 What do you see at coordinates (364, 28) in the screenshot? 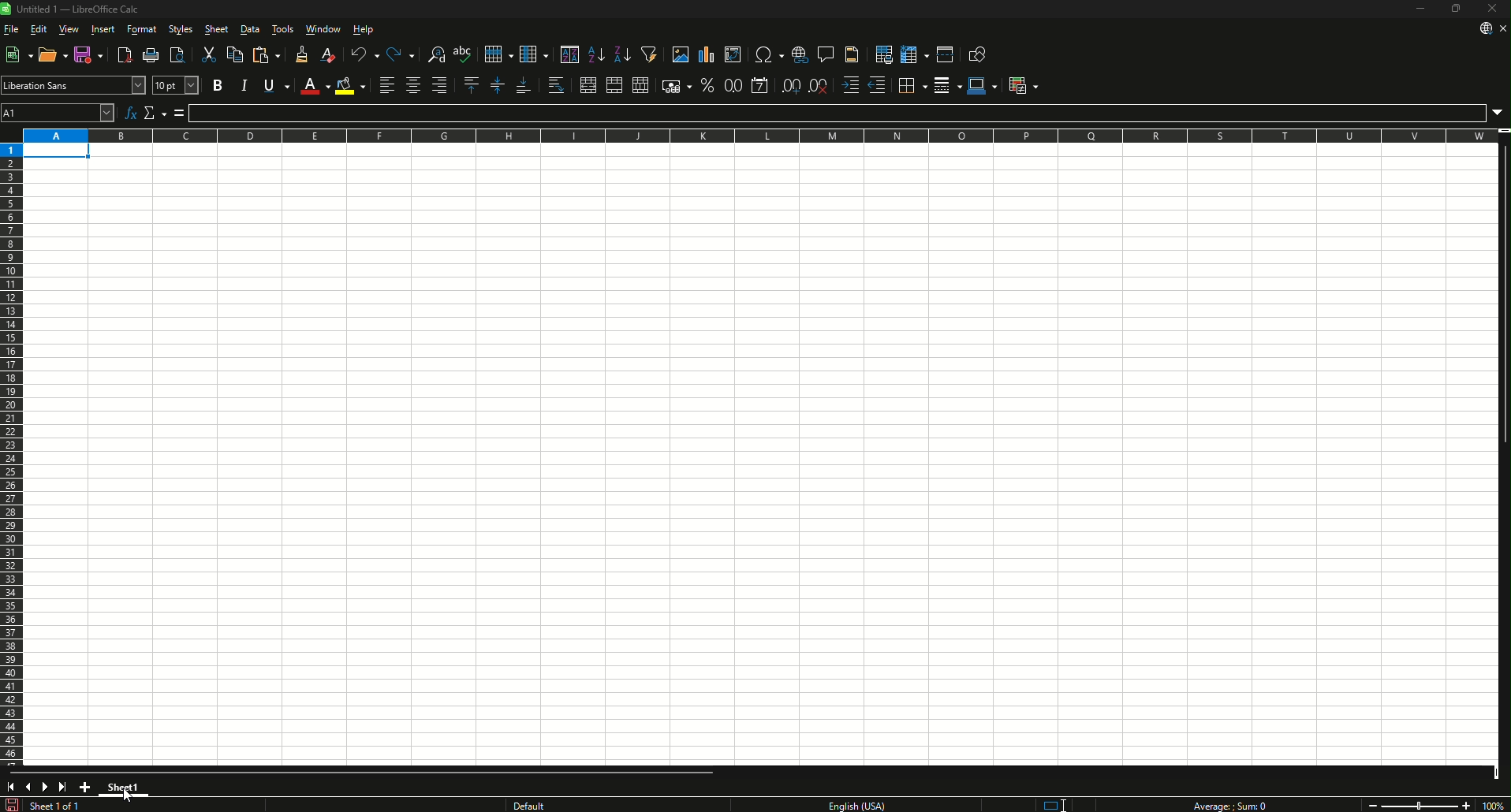
I see `Help` at bounding box center [364, 28].